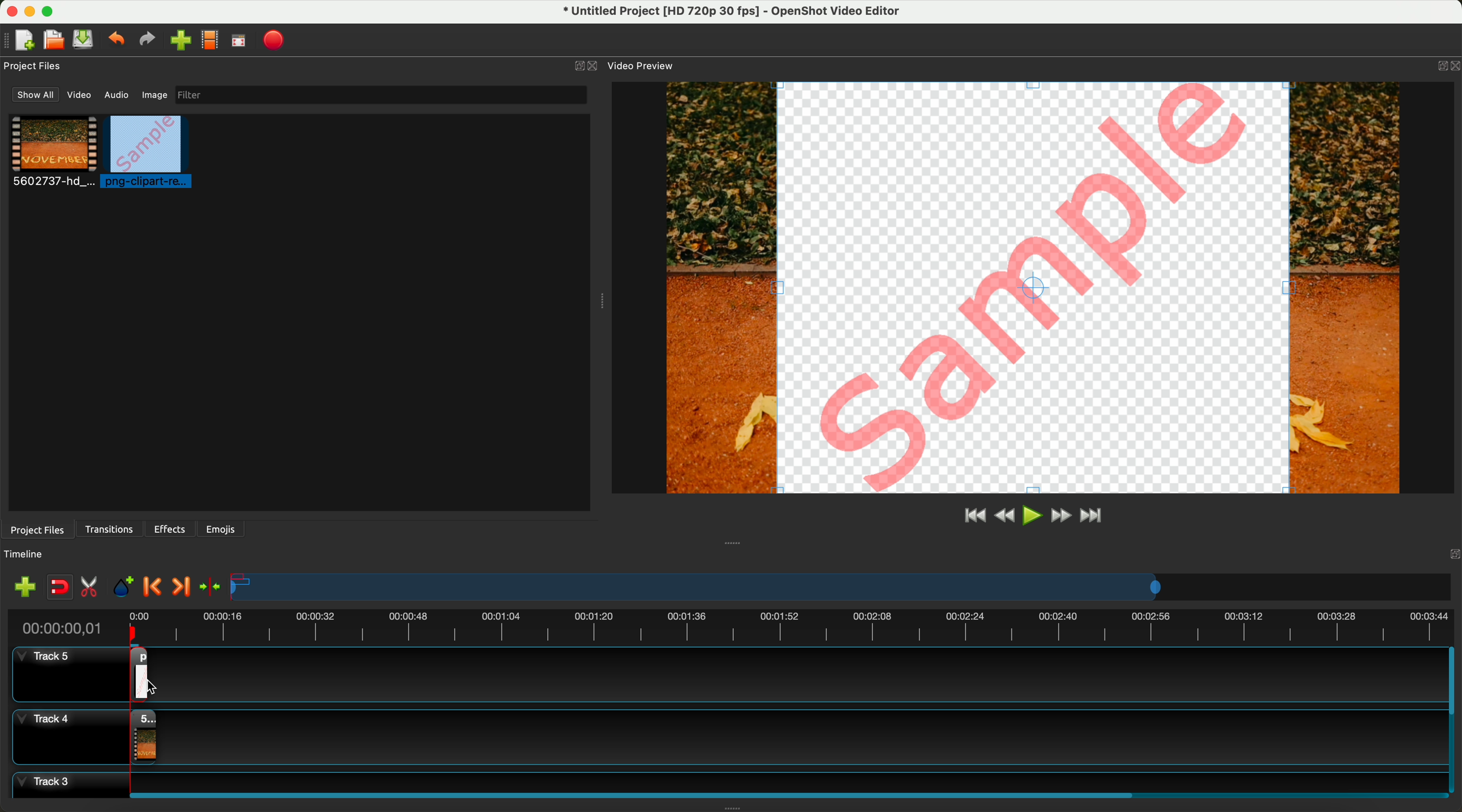 The height and width of the screenshot is (812, 1462). What do you see at coordinates (221, 527) in the screenshot?
I see `emojis` at bounding box center [221, 527].